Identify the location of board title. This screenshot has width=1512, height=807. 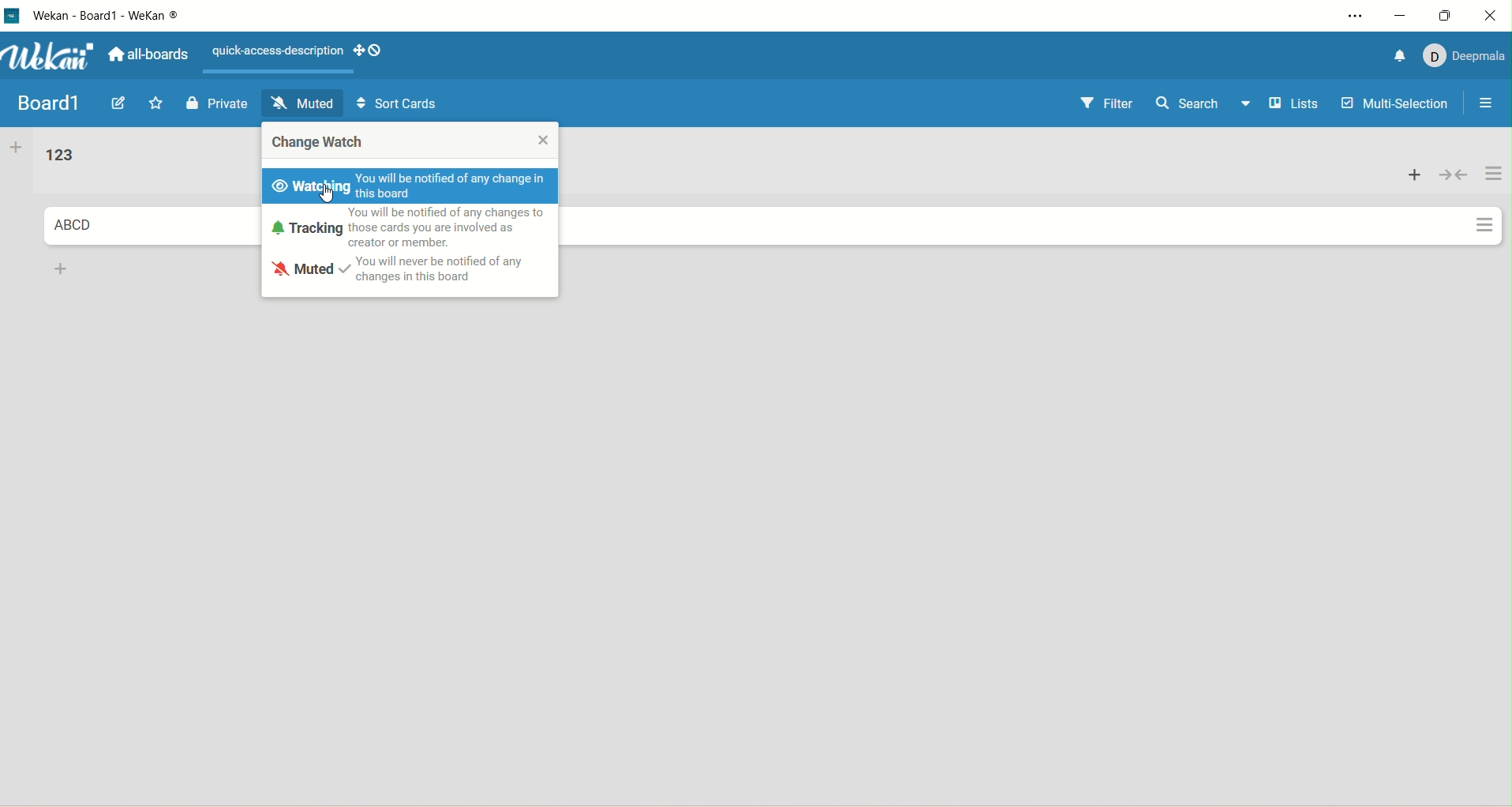
(47, 103).